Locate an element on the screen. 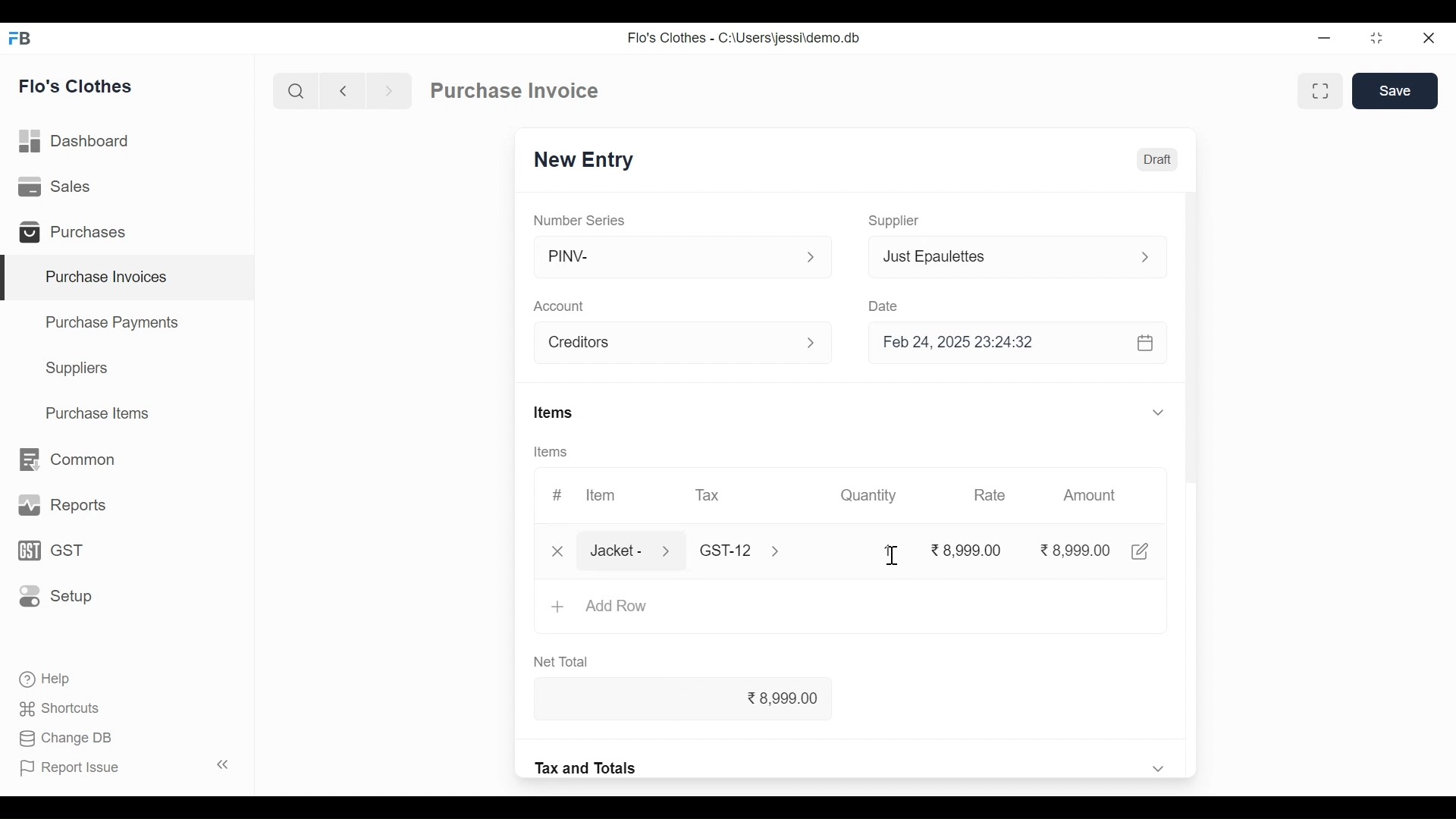  Supplier is located at coordinates (897, 221).